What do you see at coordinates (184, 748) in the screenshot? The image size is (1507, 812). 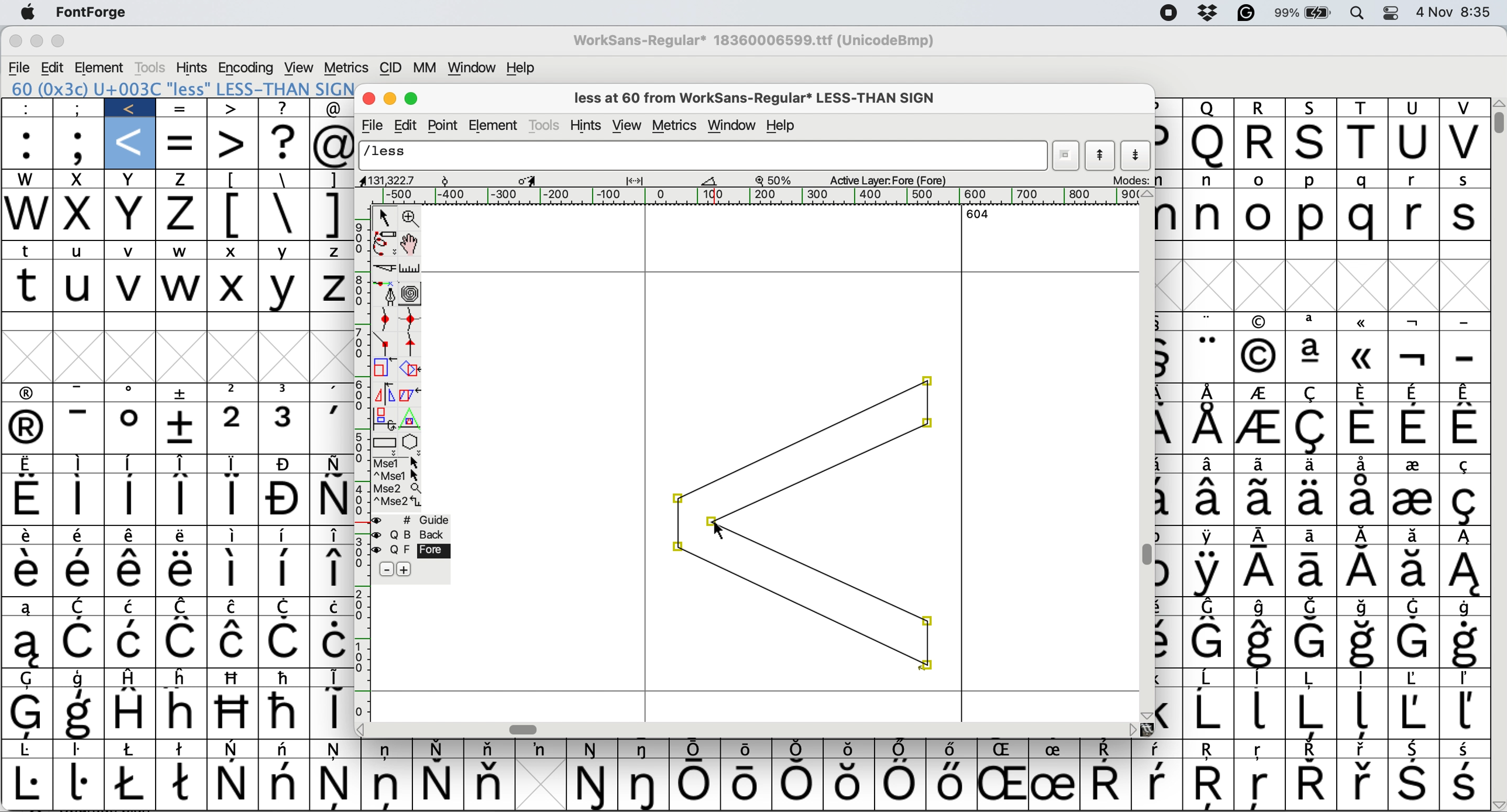 I see `Symbol` at bounding box center [184, 748].